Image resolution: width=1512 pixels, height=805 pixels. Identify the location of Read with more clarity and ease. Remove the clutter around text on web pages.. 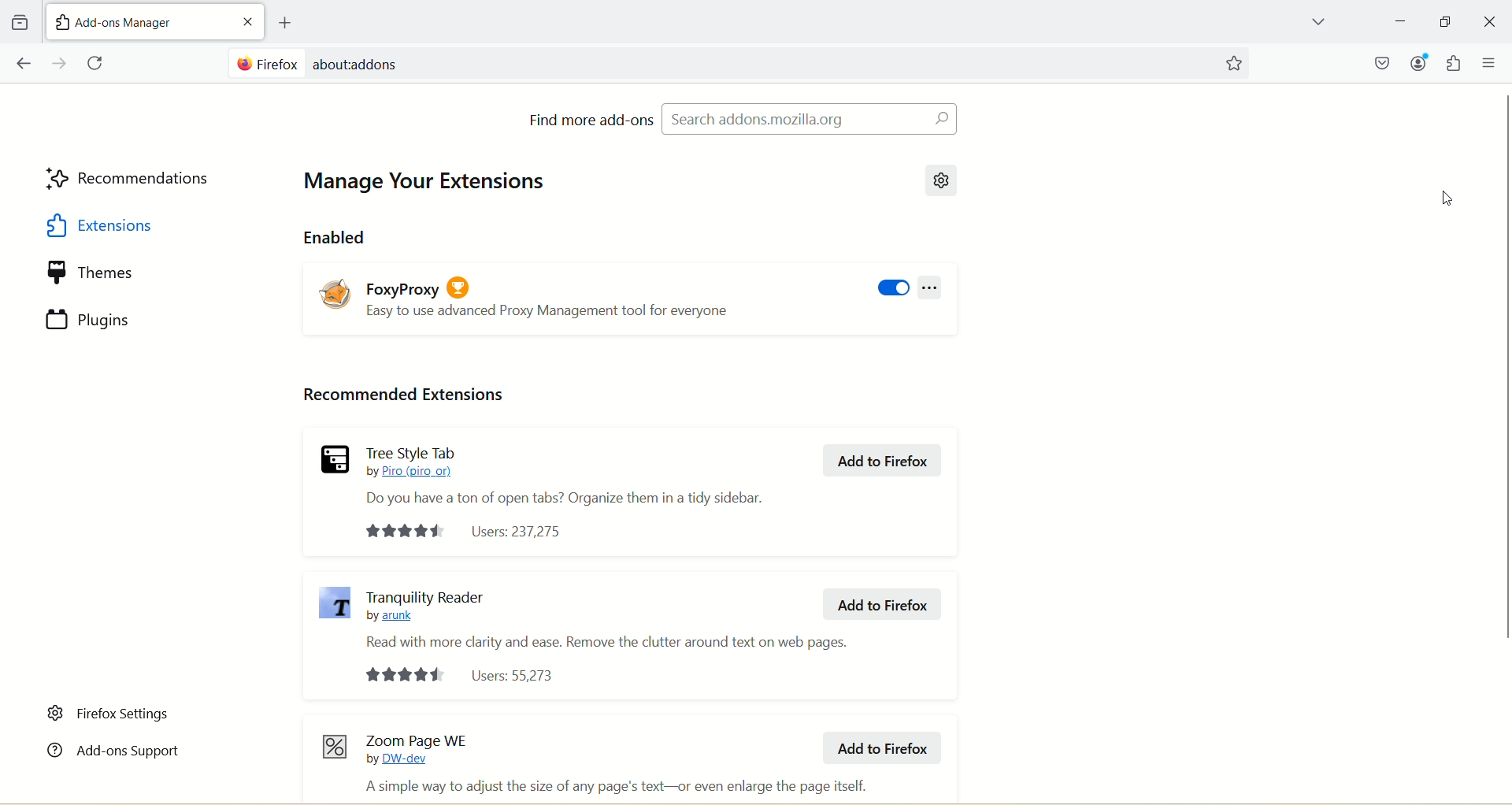
(607, 641).